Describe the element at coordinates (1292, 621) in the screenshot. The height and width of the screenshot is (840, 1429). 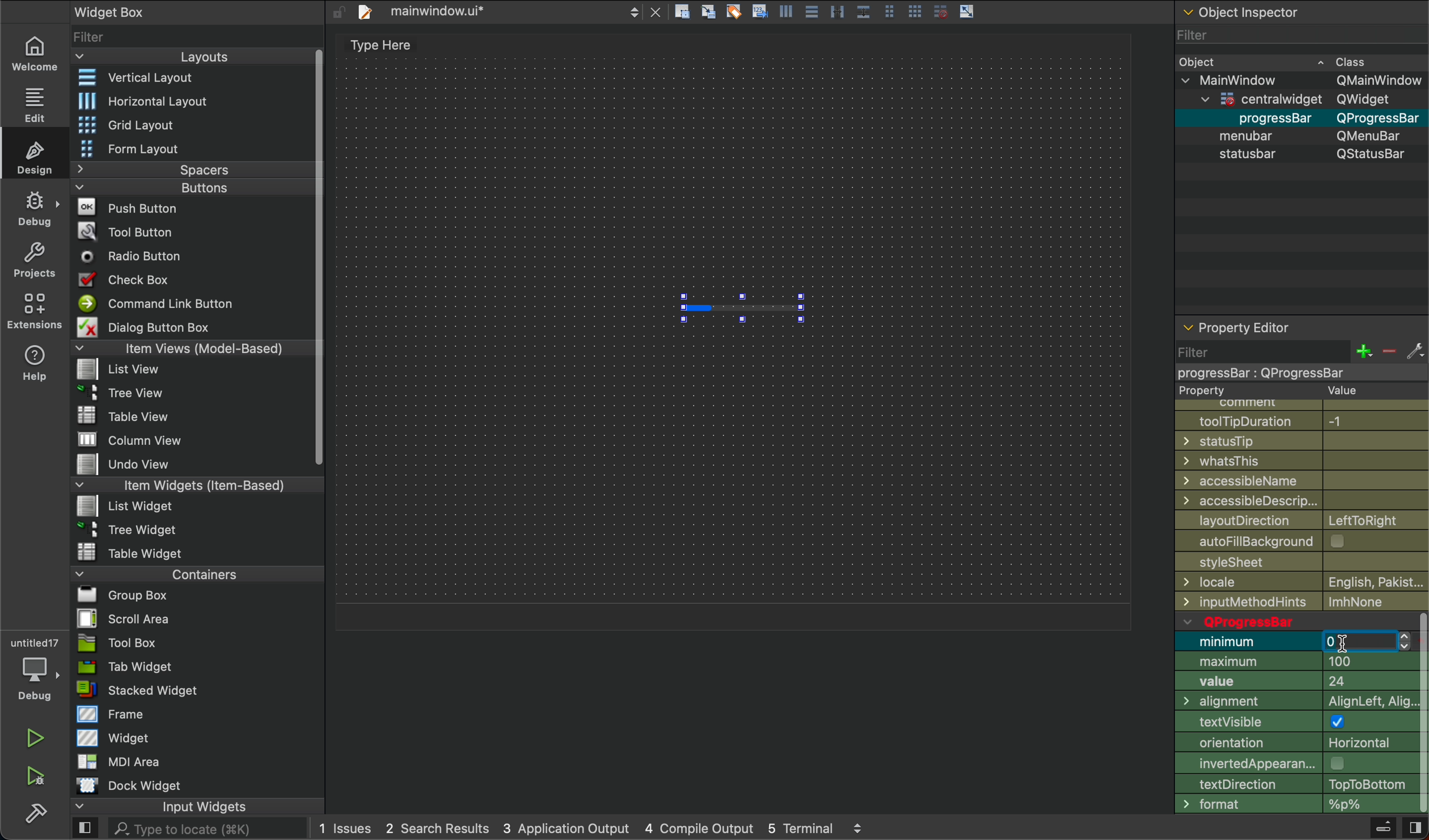
I see `qprogress bar` at that location.